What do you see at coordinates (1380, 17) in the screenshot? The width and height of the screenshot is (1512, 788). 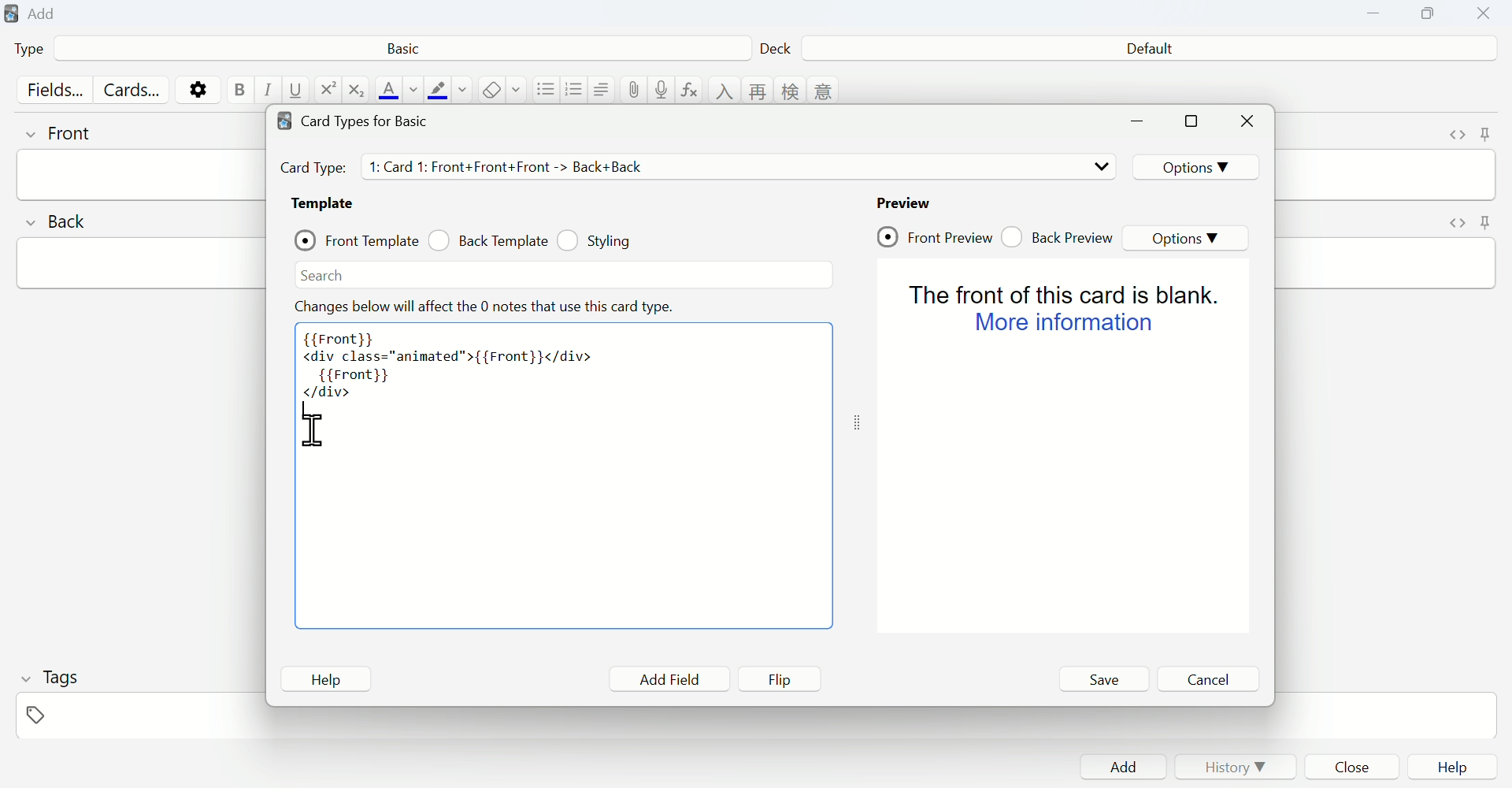 I see `Minimize` at bounding box center [1380, 17].